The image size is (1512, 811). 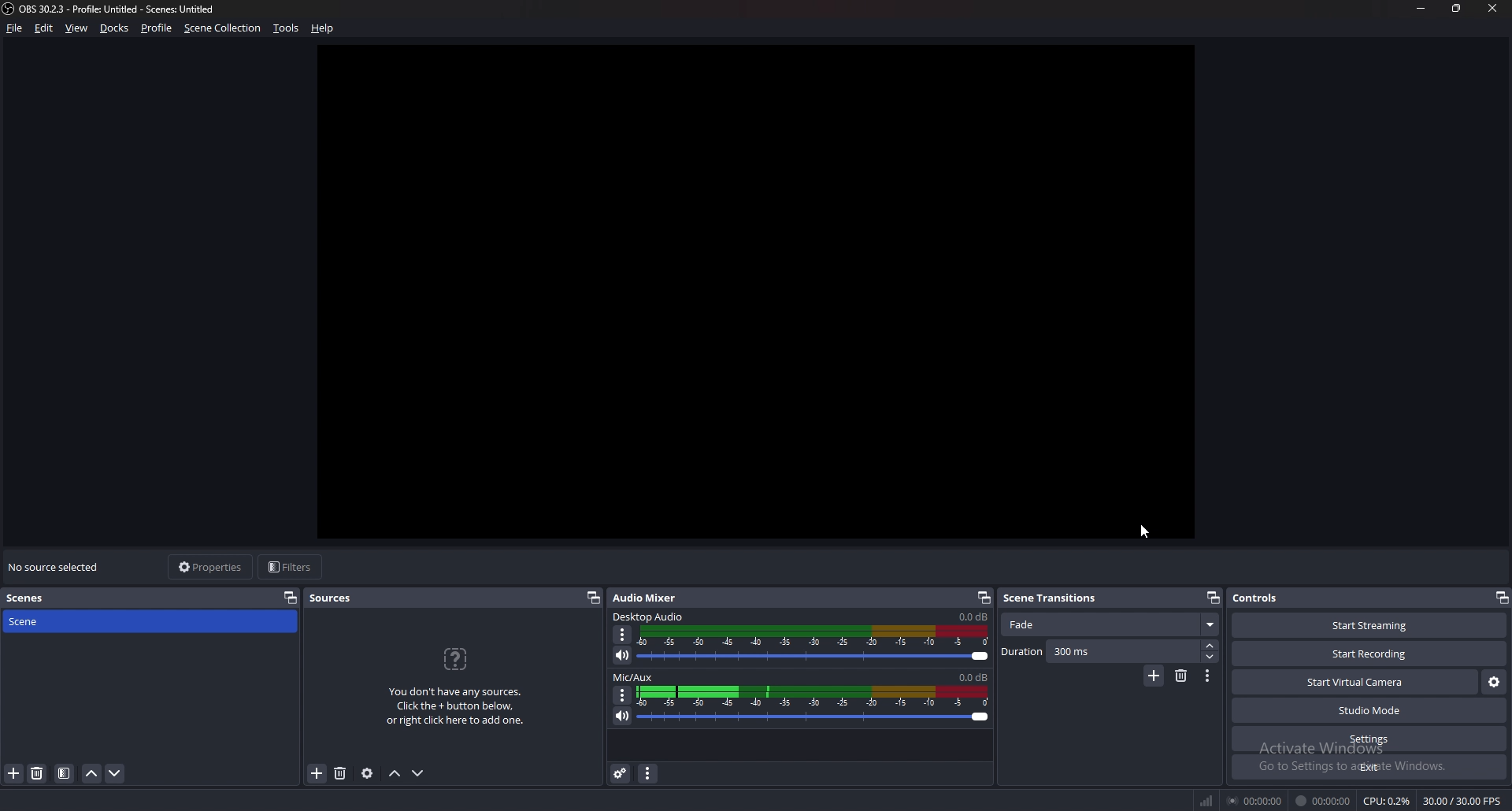 I want to click on edit, so click(x=43, y=28).